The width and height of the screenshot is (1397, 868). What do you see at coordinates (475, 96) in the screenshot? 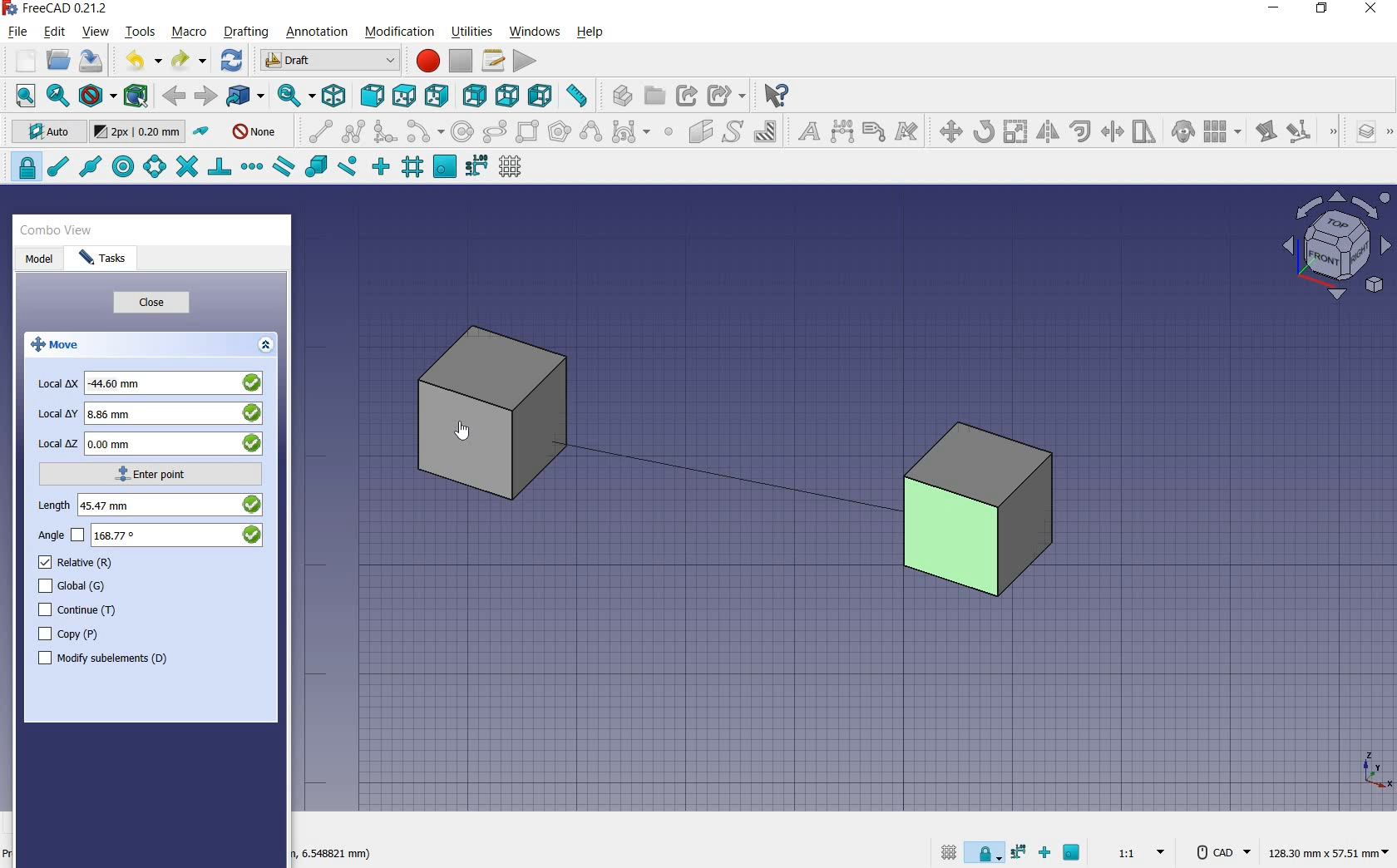
I see `rear` at bounding box center [475, 96].